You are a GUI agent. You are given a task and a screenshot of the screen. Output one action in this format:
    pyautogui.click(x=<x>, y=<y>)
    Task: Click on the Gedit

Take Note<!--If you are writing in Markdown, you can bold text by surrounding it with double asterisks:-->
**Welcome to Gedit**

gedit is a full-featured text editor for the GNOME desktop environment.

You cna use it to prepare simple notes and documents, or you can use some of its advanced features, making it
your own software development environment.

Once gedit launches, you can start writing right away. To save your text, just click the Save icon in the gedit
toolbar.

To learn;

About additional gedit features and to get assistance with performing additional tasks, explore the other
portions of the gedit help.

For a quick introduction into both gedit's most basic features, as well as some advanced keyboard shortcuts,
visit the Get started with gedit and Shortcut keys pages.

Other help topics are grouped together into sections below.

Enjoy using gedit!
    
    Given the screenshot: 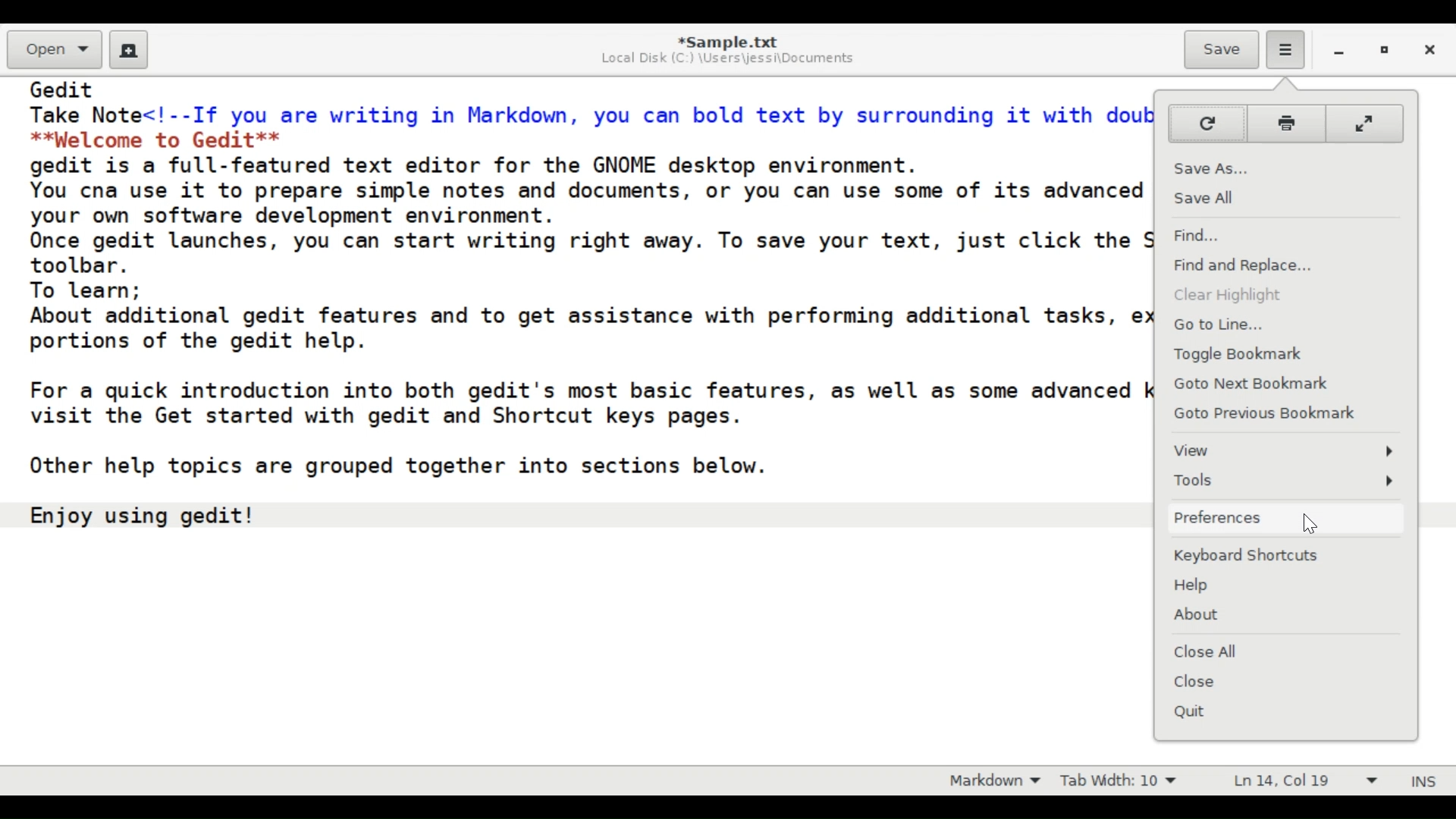 What is the action you would take?
    pyautogui.click(x=577, y=319)
    